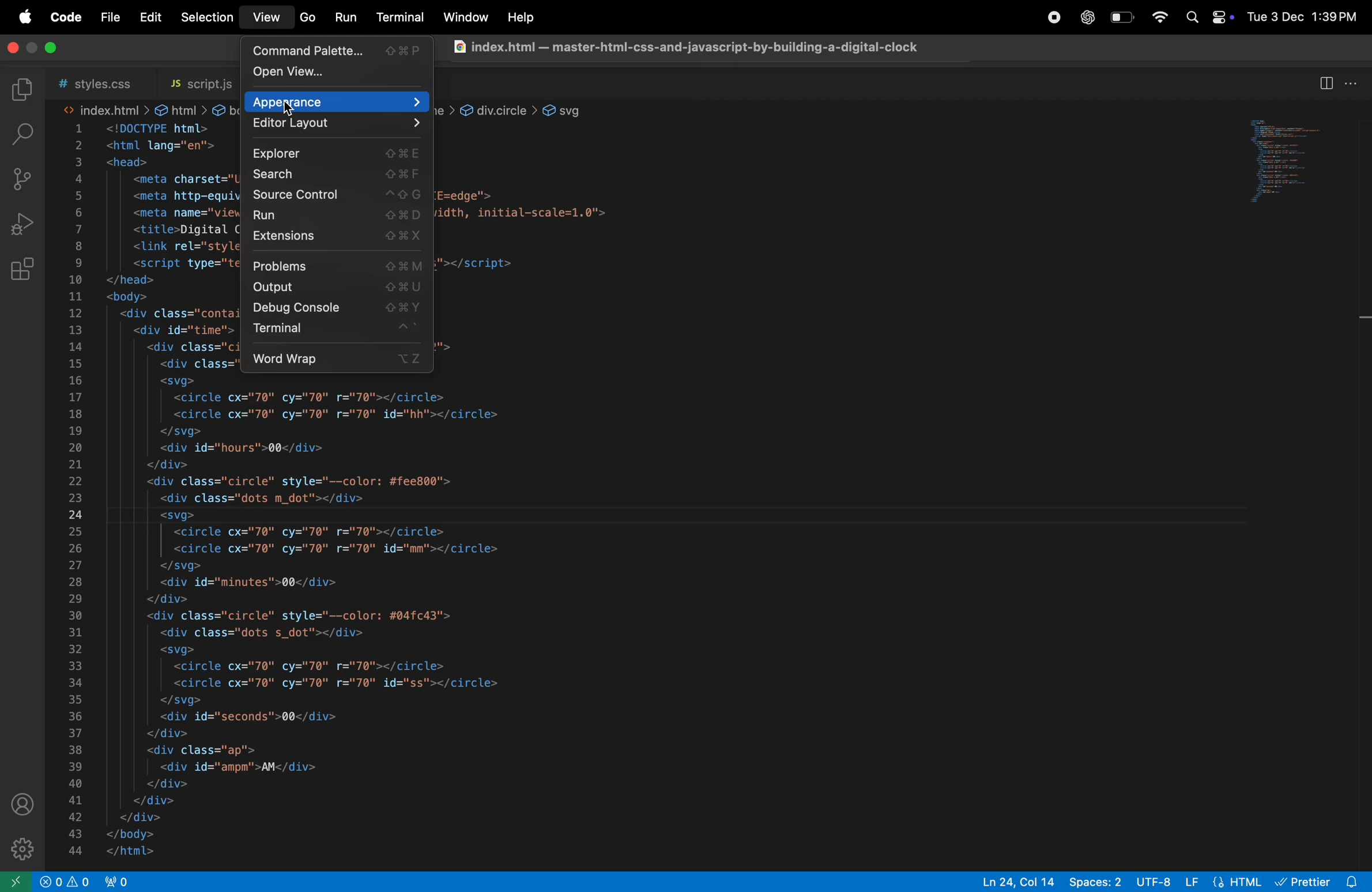 The width and height of the screenshot is (1372, 892). I want to click on record, so click(1048, 18).